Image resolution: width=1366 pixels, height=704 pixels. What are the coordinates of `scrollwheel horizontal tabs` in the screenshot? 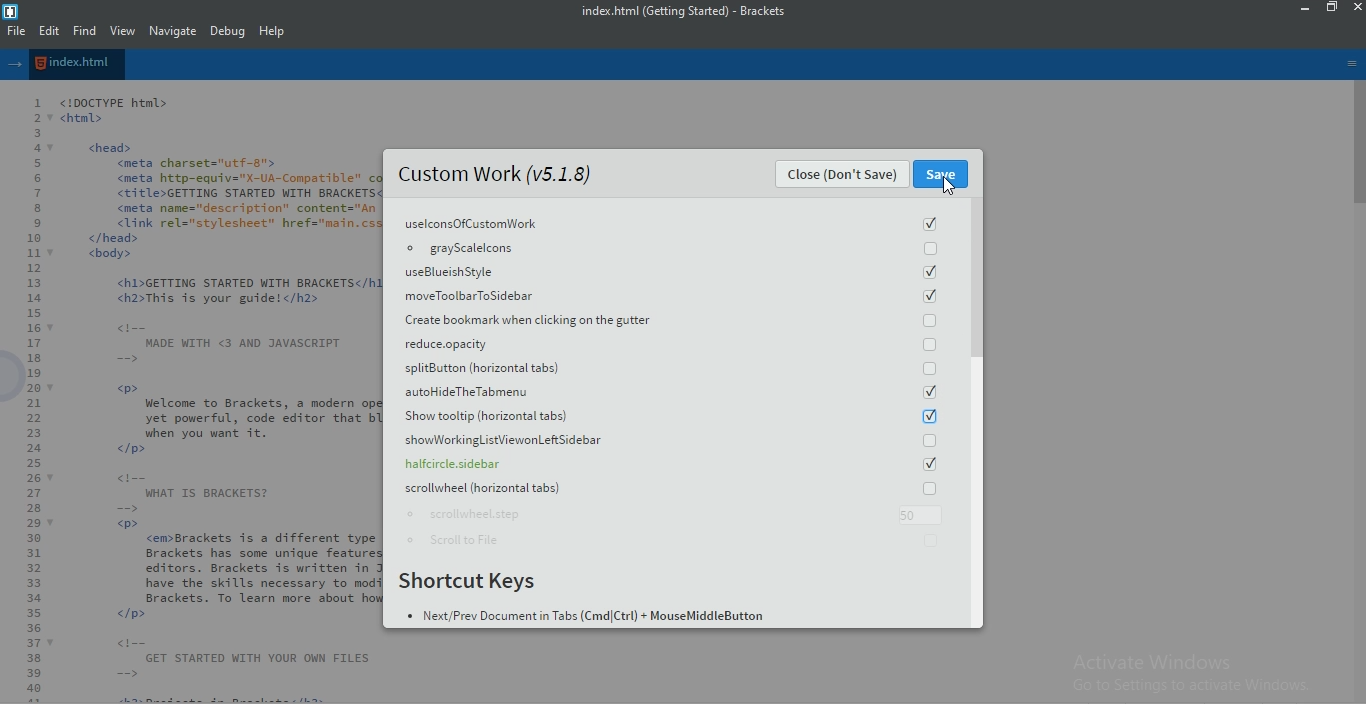 It's located at (675, 488).